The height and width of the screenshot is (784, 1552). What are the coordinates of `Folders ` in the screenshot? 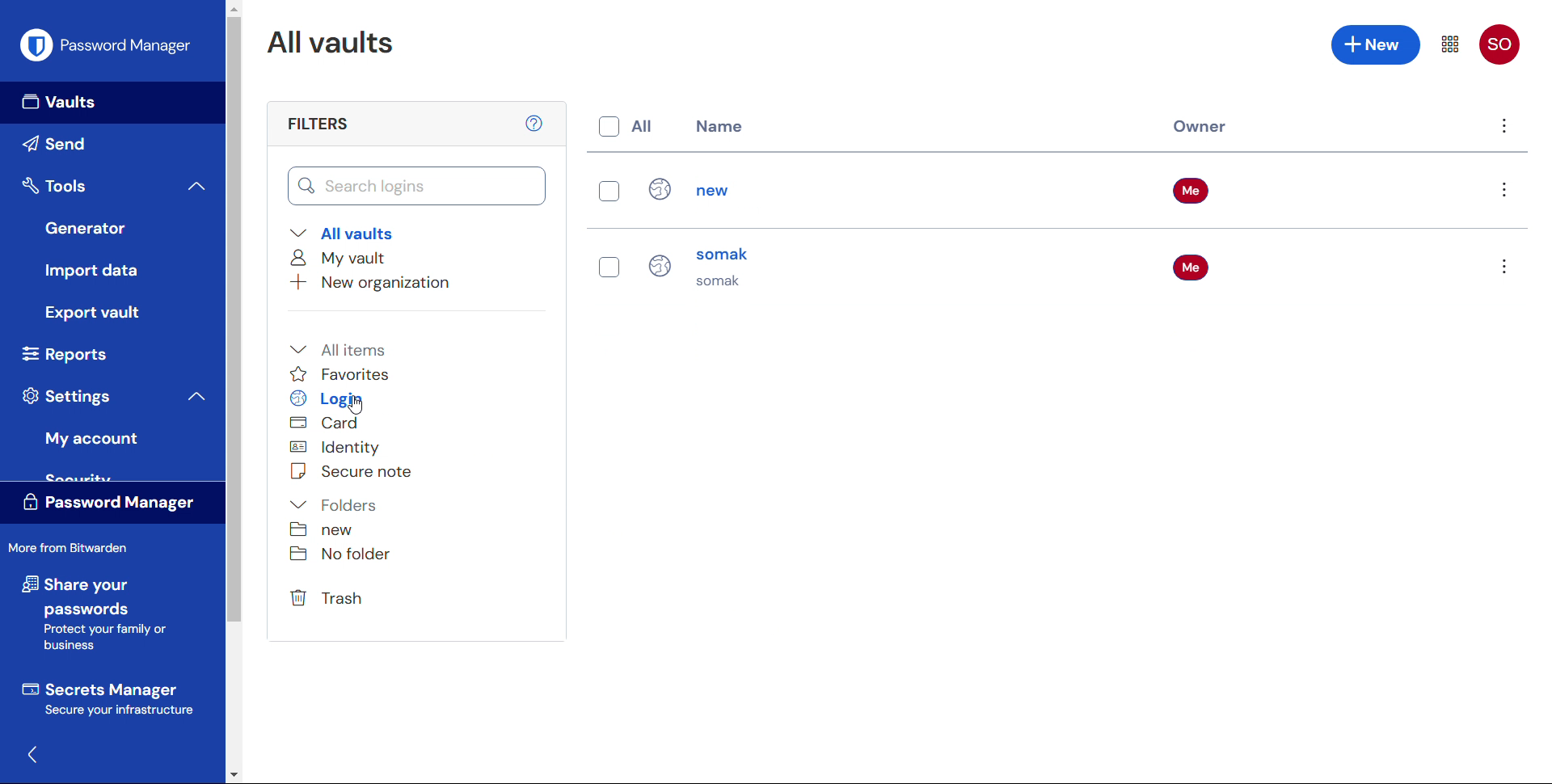 It's located at (333, 506).